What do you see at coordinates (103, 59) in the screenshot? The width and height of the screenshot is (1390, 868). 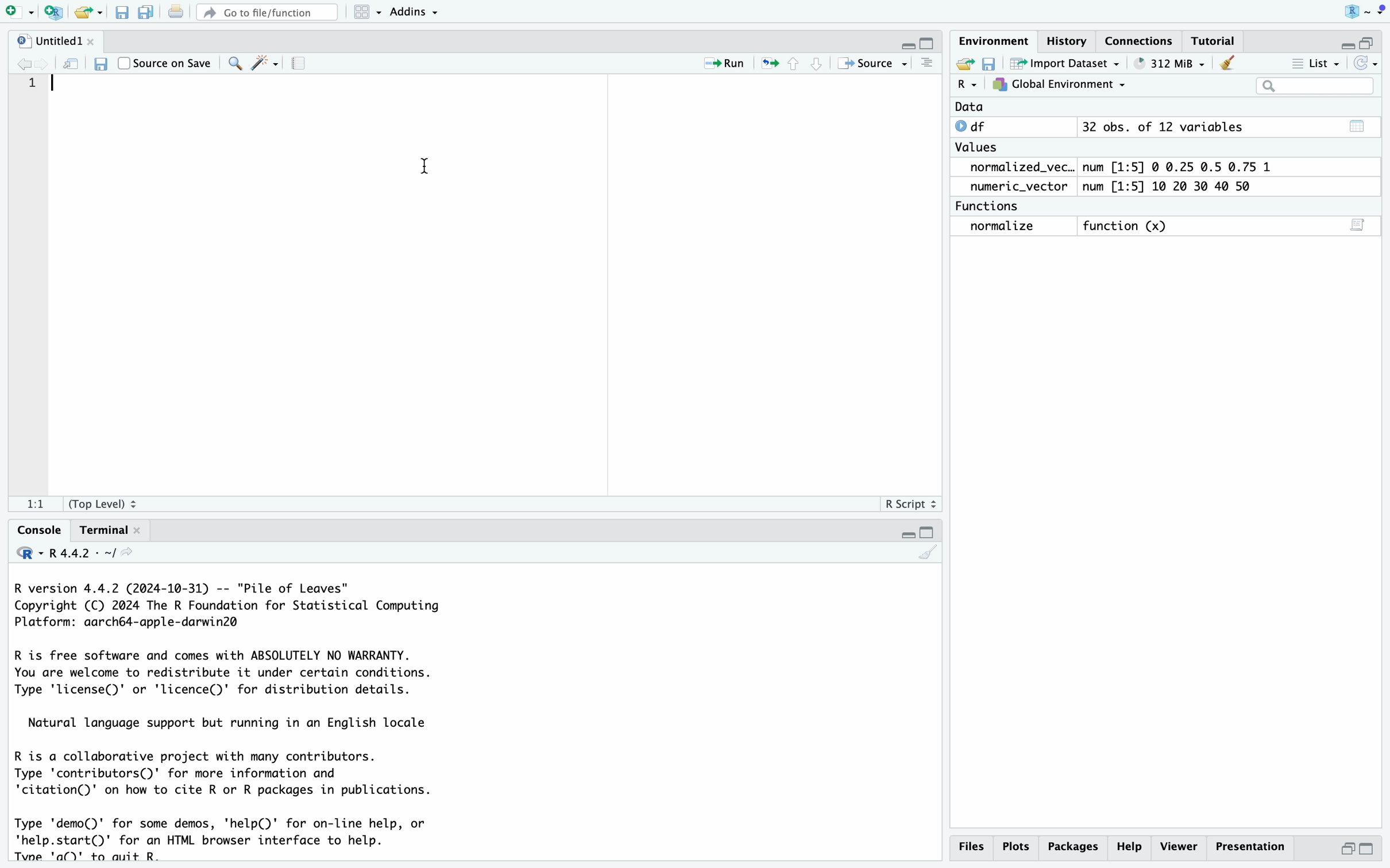 I see `save` at bounding box center [103, 59].